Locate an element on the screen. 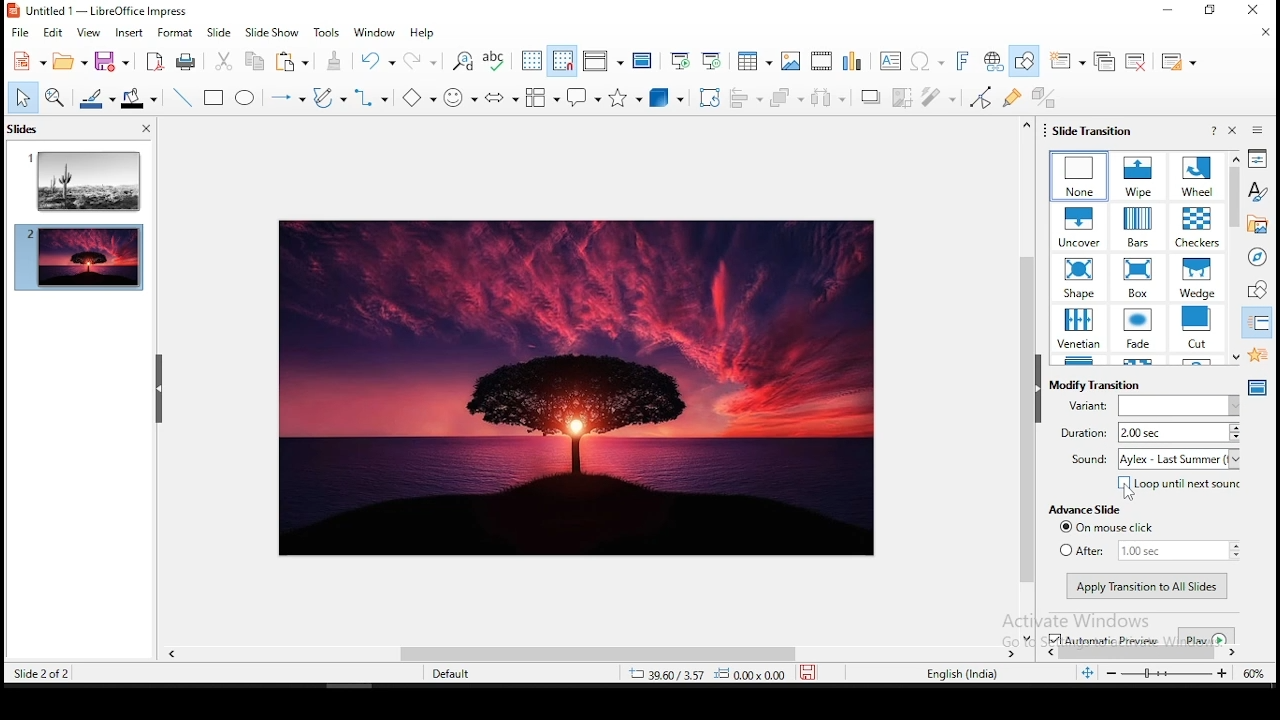  new slide is located at coordinates (1070, 59).